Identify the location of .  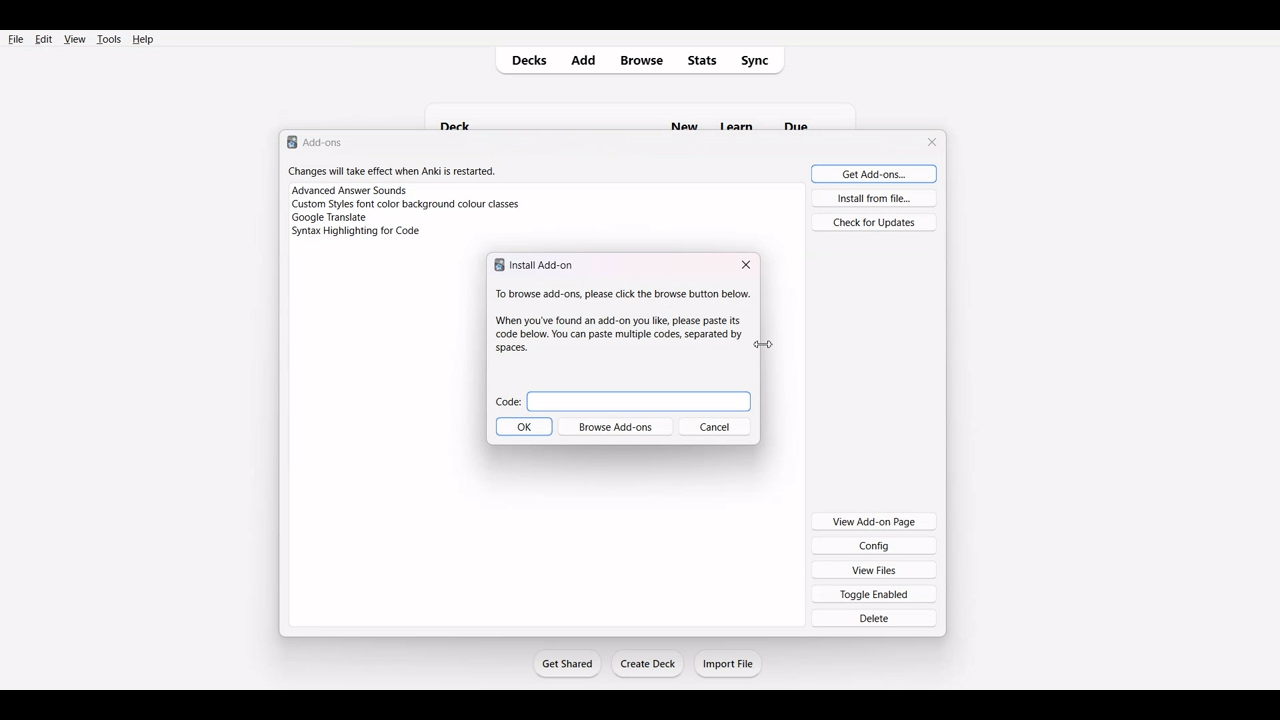
(742, 114).